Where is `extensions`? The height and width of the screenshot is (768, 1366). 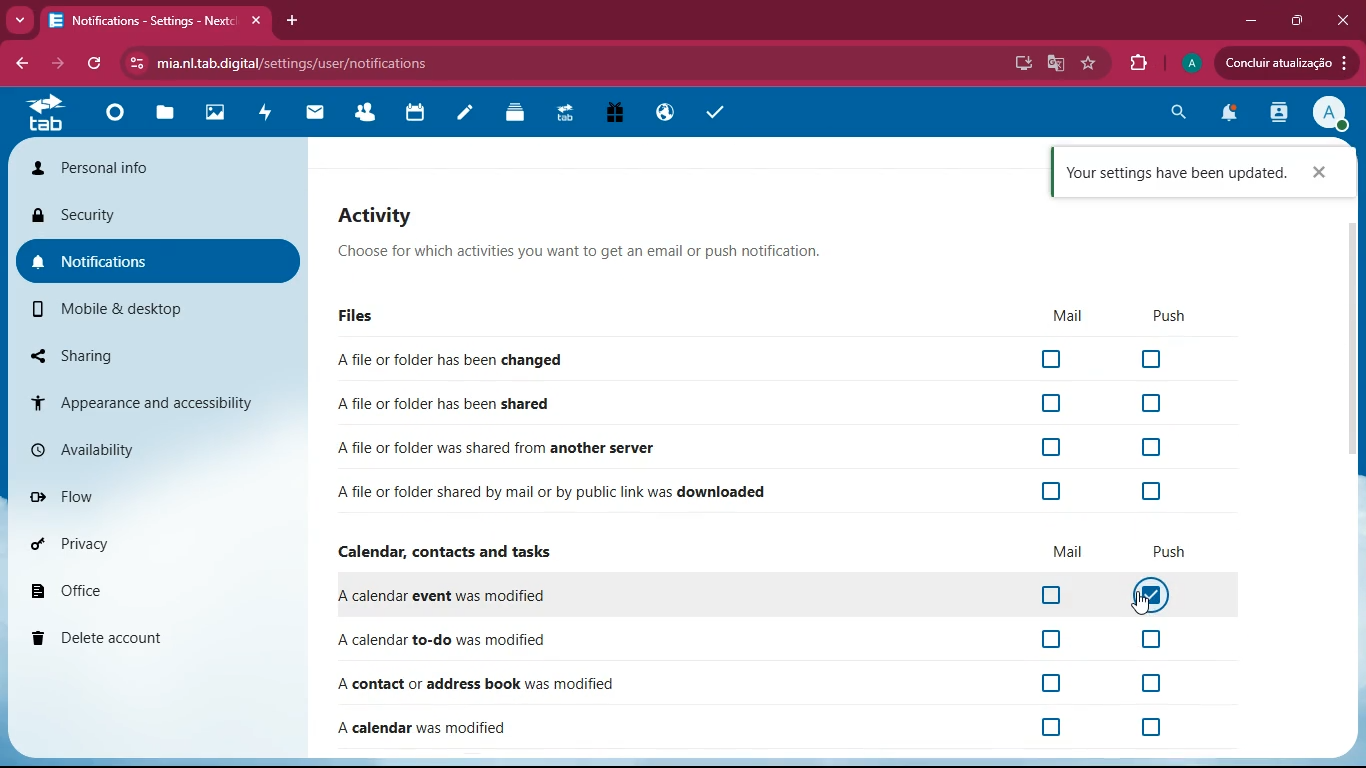
extensions is located at coordinates (1140, 63).